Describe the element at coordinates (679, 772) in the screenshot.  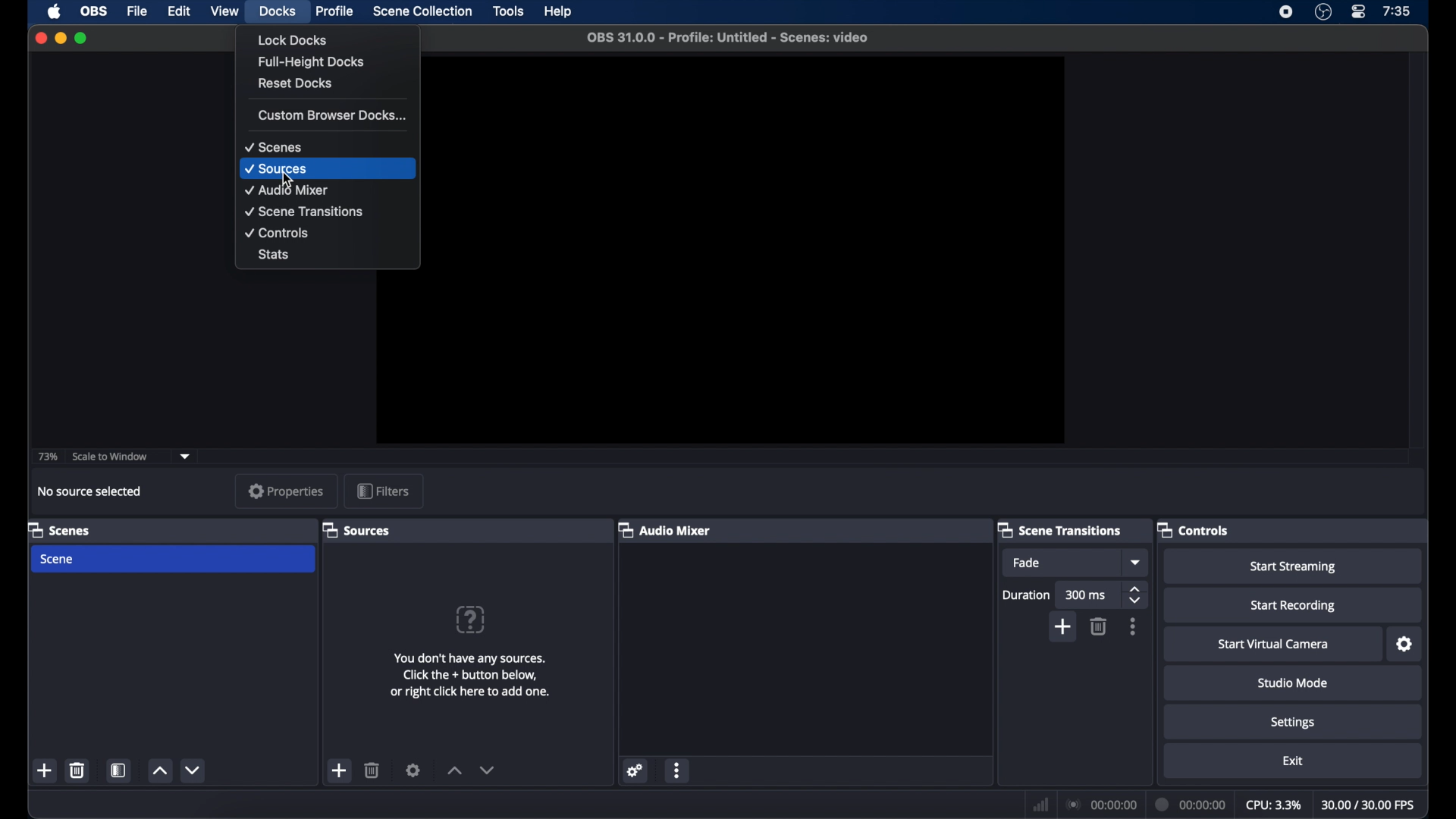
I see `more options` at that location.